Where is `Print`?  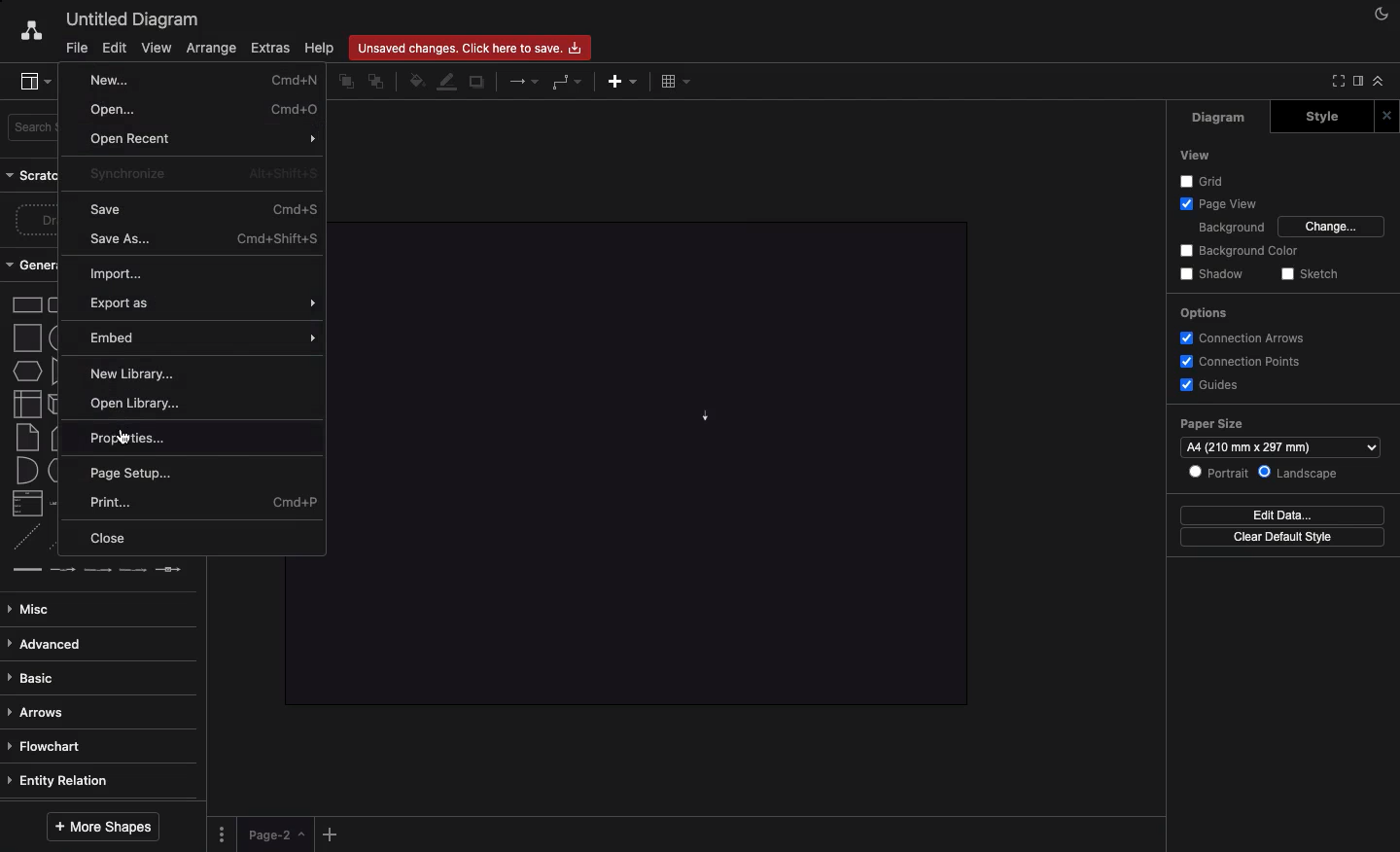
Print is located at coordinates (205, 503).